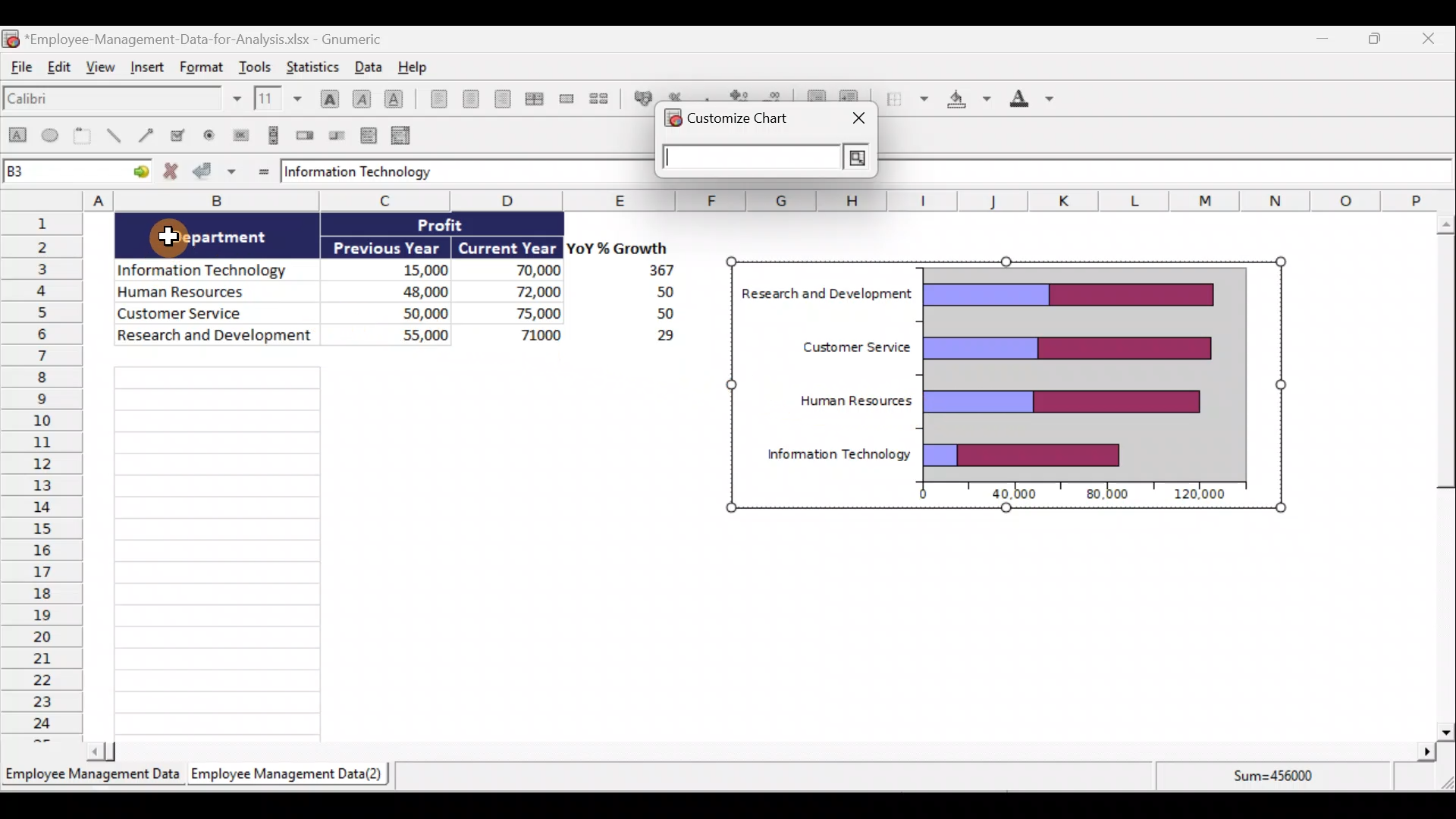  I want to click on Columns, so click(716, 201).